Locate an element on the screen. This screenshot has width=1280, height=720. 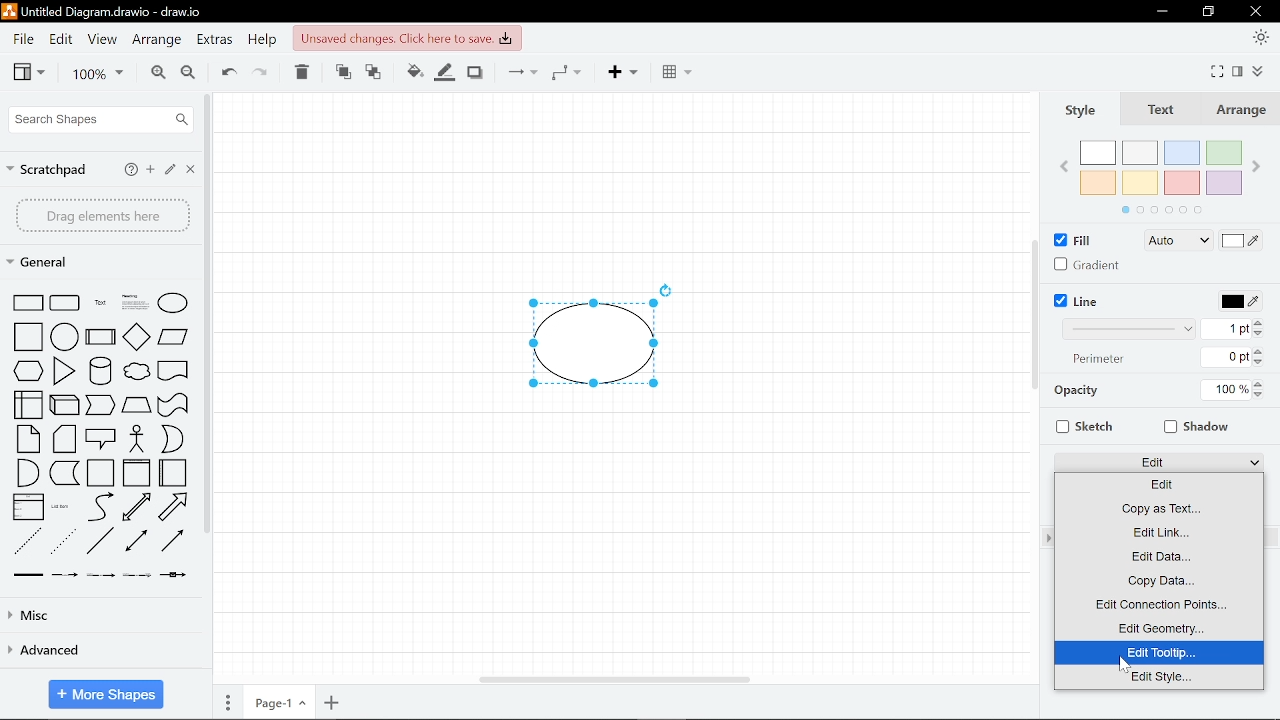
hexagon is located at coordinates (29, 370).